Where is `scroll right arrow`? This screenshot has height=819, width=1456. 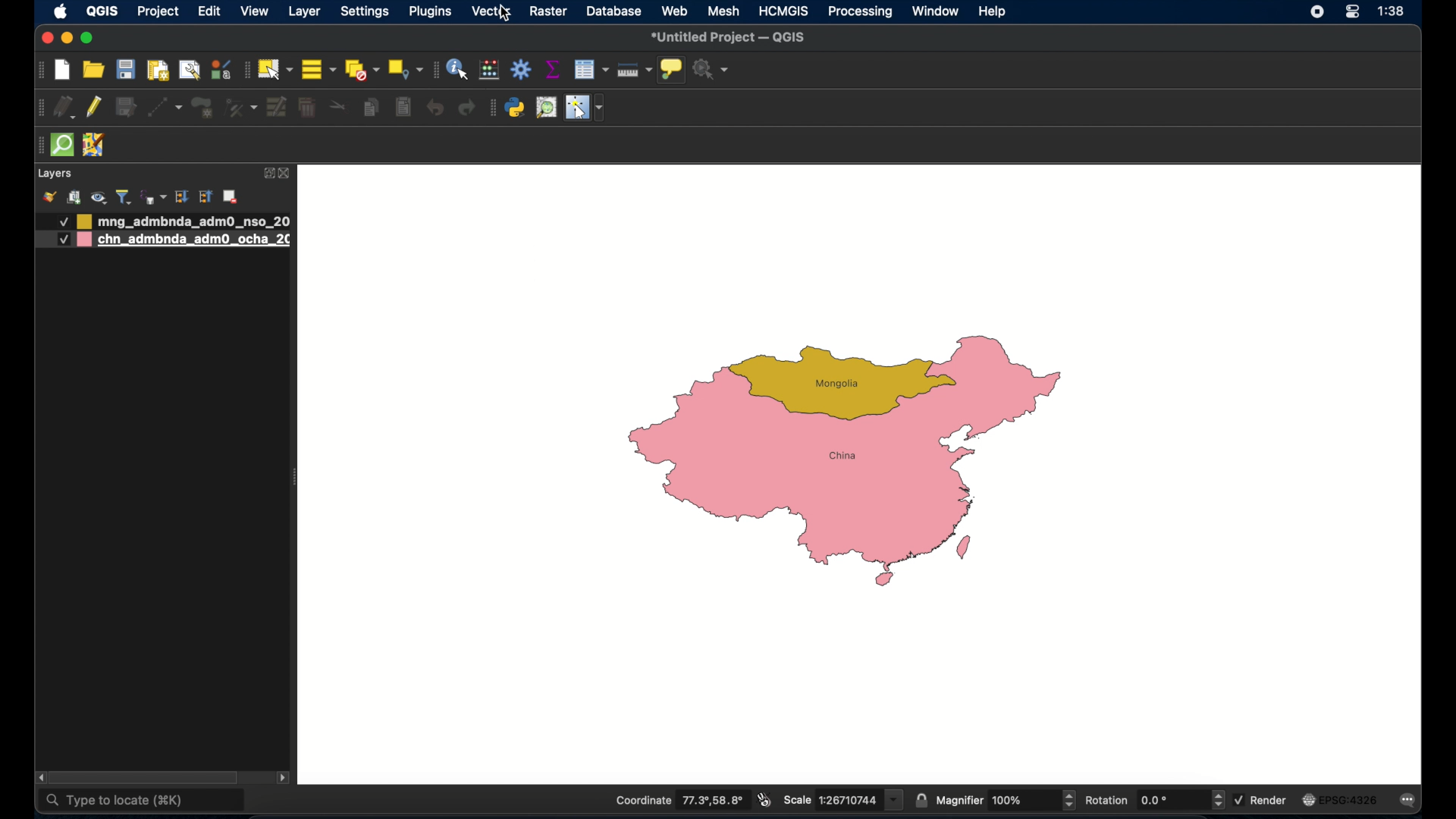
scroll right arrow is located at coordinates (287, 777).